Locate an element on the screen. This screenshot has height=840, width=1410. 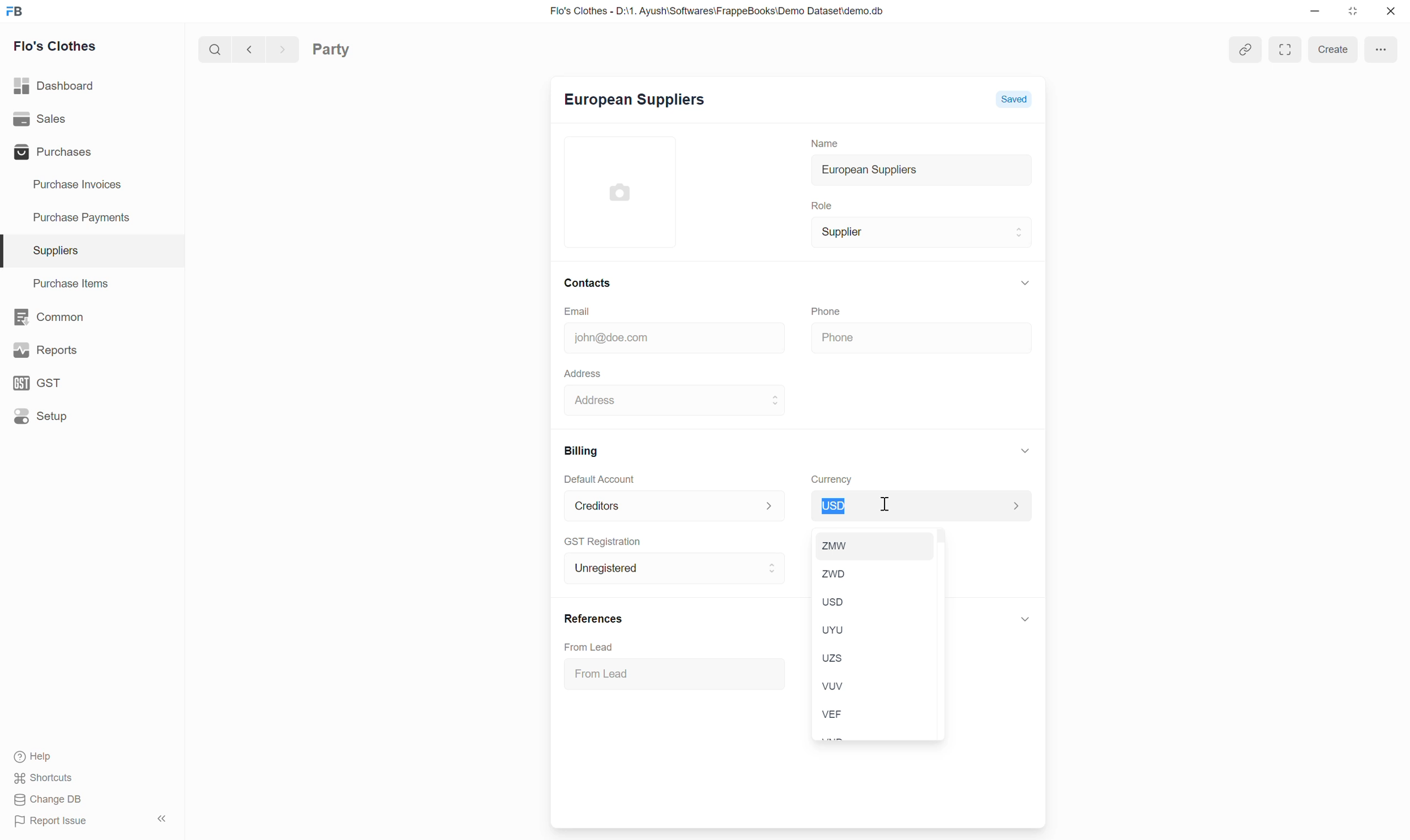
john@doe.com is located at coordinates (606, 336).